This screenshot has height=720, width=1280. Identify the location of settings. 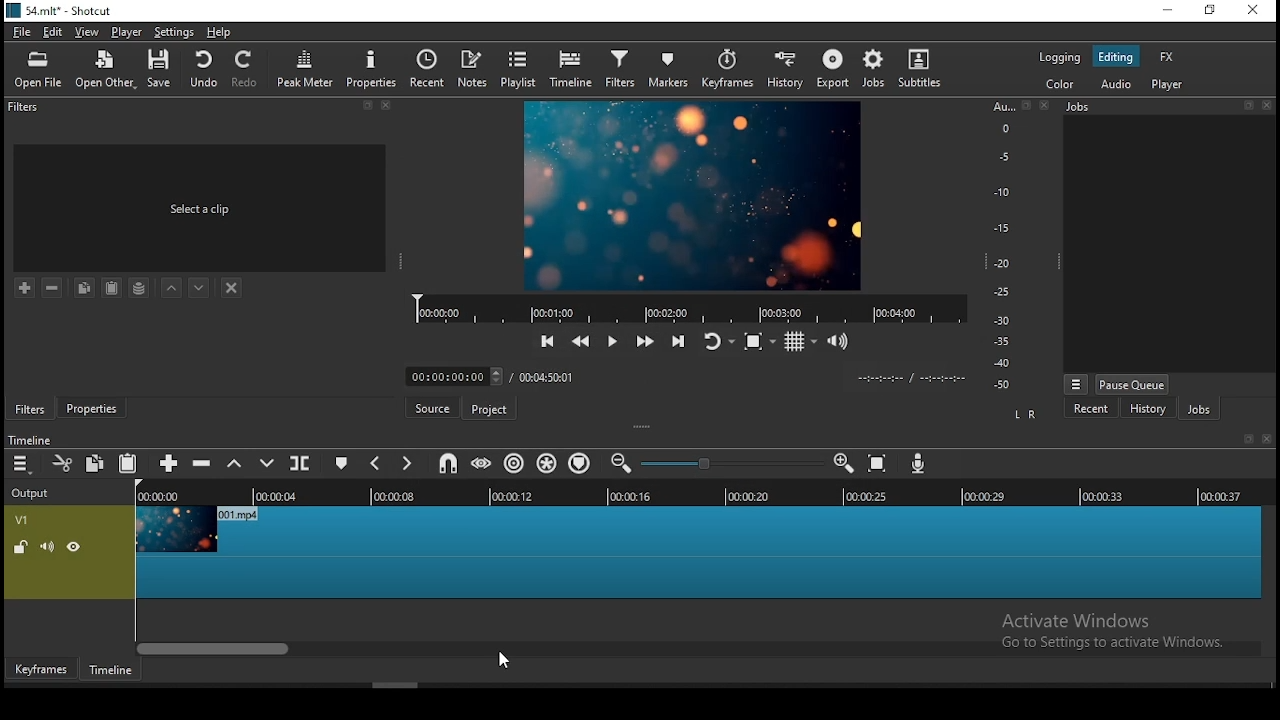
(171, 32).